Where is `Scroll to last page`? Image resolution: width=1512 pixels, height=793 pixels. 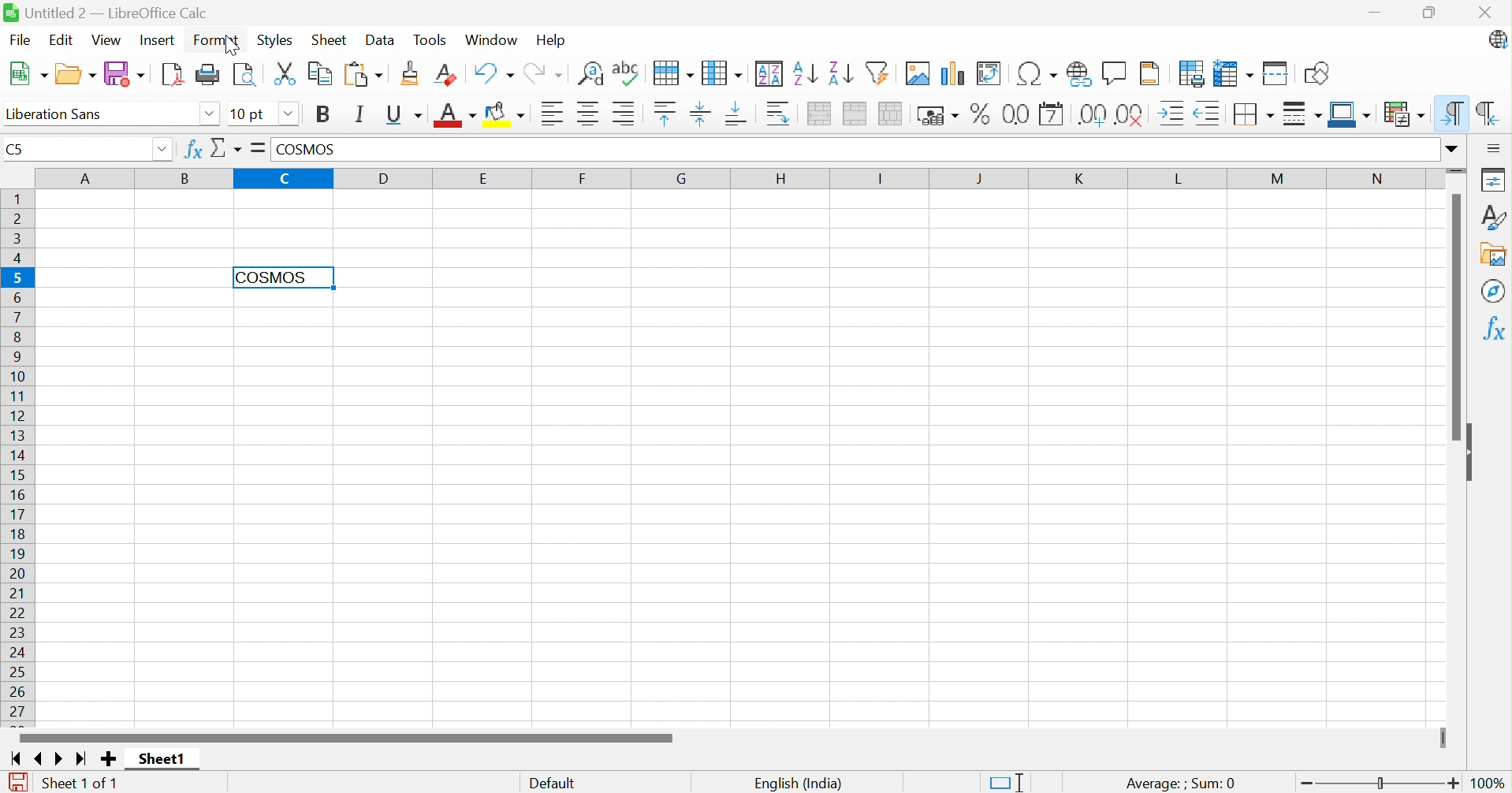
Scroll to last page is located at coordinates (86, 757).